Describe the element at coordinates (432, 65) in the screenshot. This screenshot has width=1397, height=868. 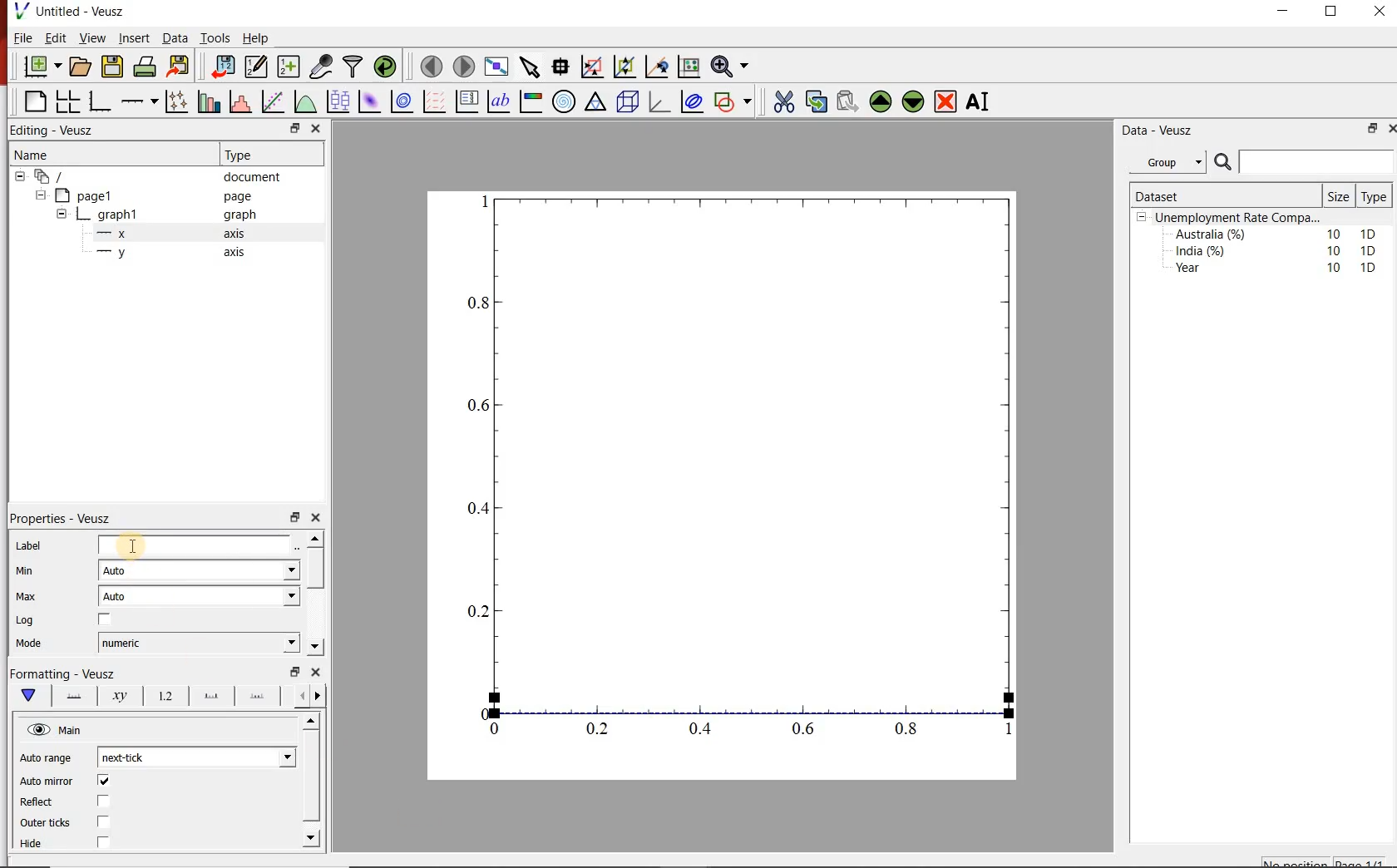
I see `move to previous page` at that location.